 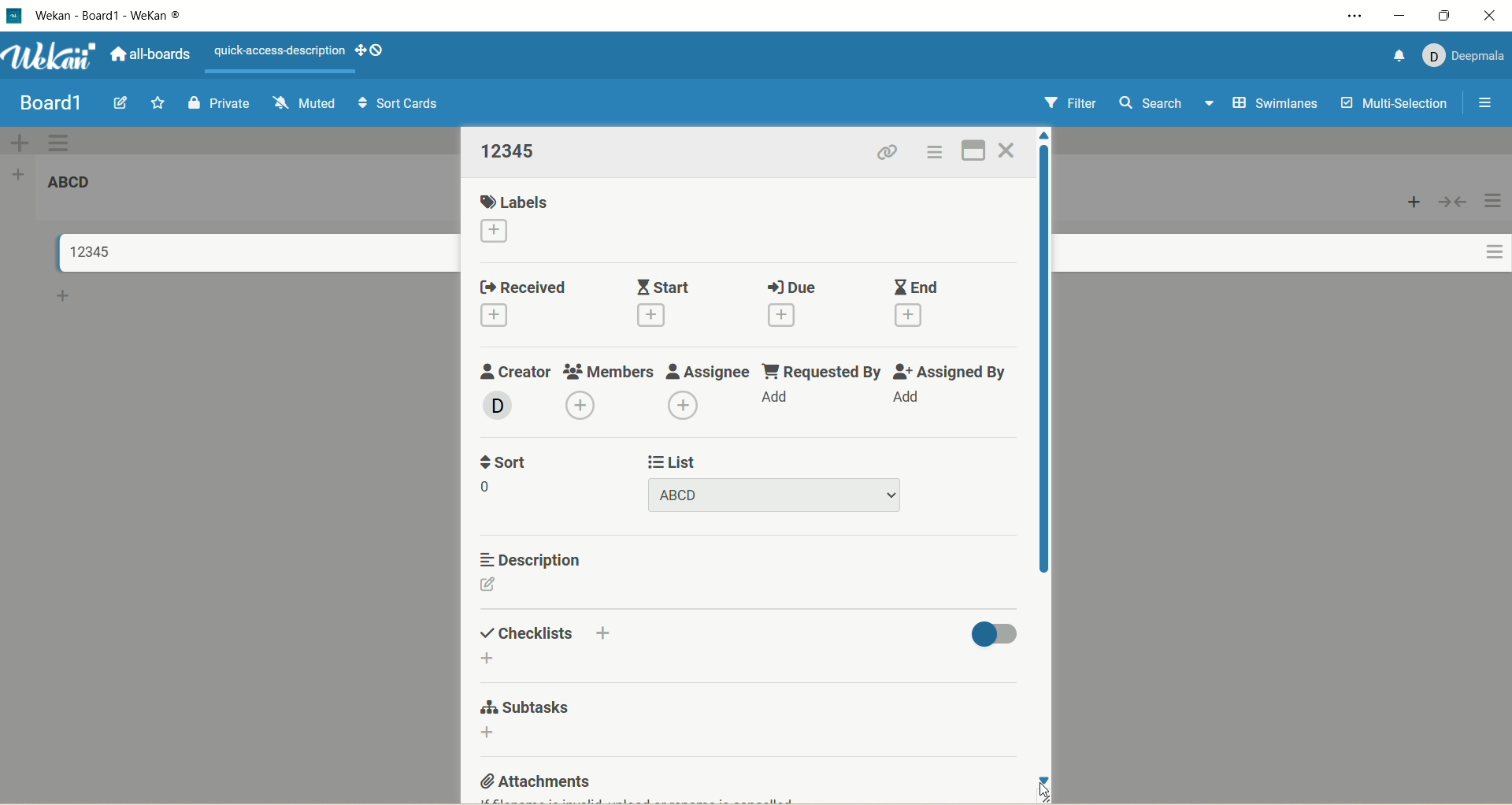 I want to click on swimlanes, so click(x=1277, y=105).